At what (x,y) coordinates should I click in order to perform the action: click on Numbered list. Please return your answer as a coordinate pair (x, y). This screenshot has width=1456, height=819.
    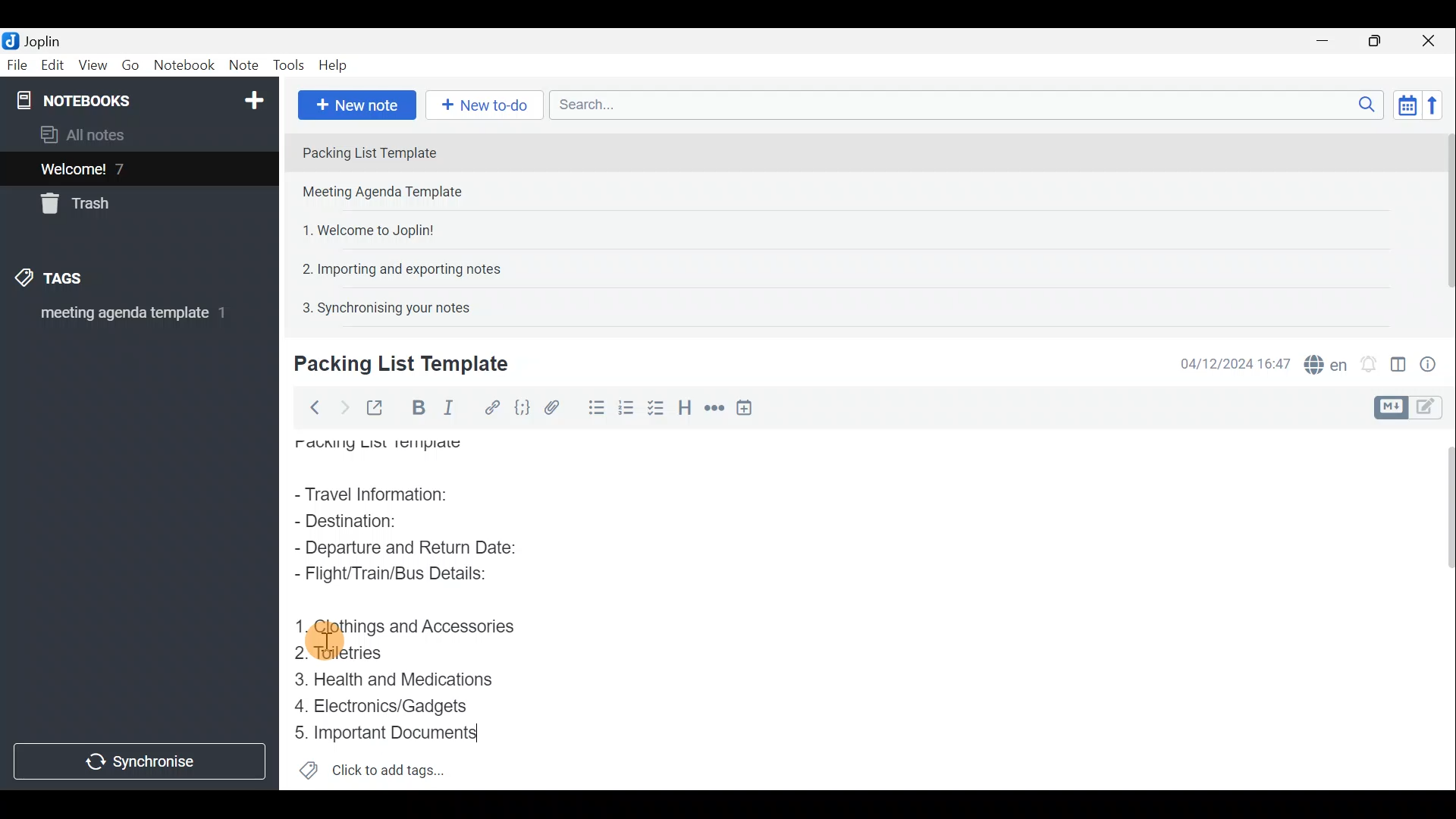
    Looking at the image, I should click on (657, 407).